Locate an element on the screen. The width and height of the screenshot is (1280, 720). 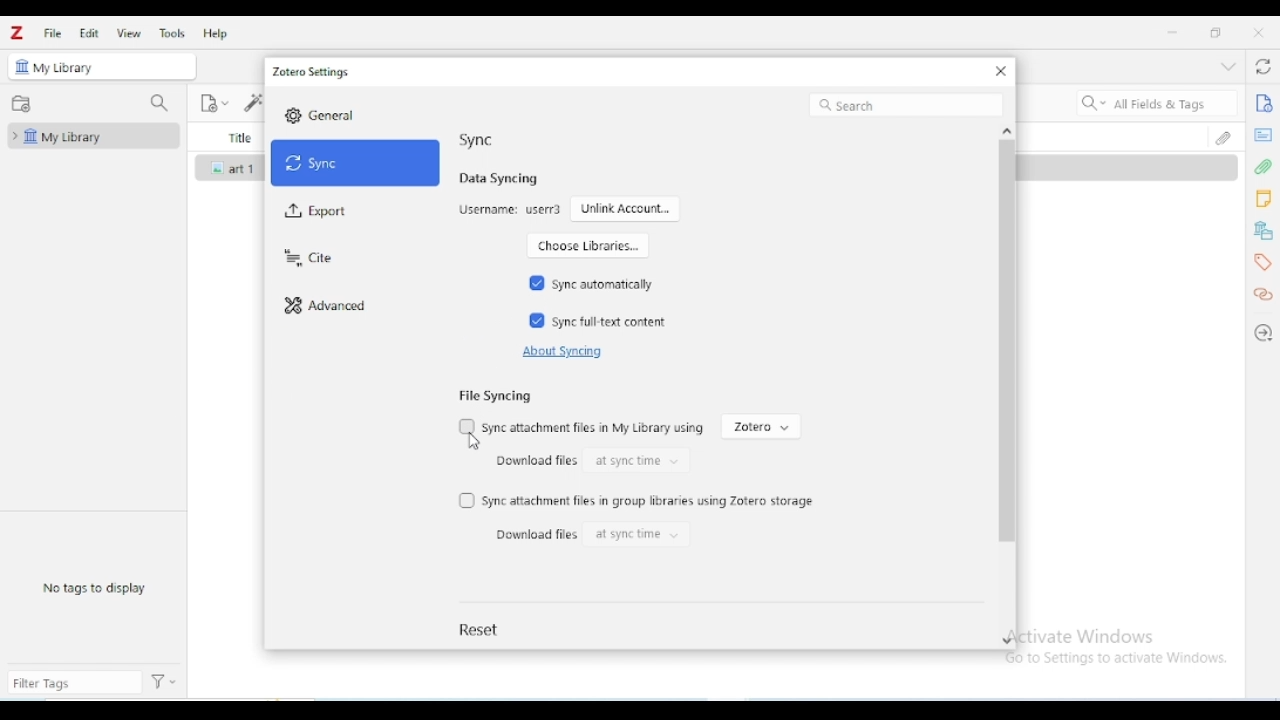
tools is located at coordinates (171, 33).